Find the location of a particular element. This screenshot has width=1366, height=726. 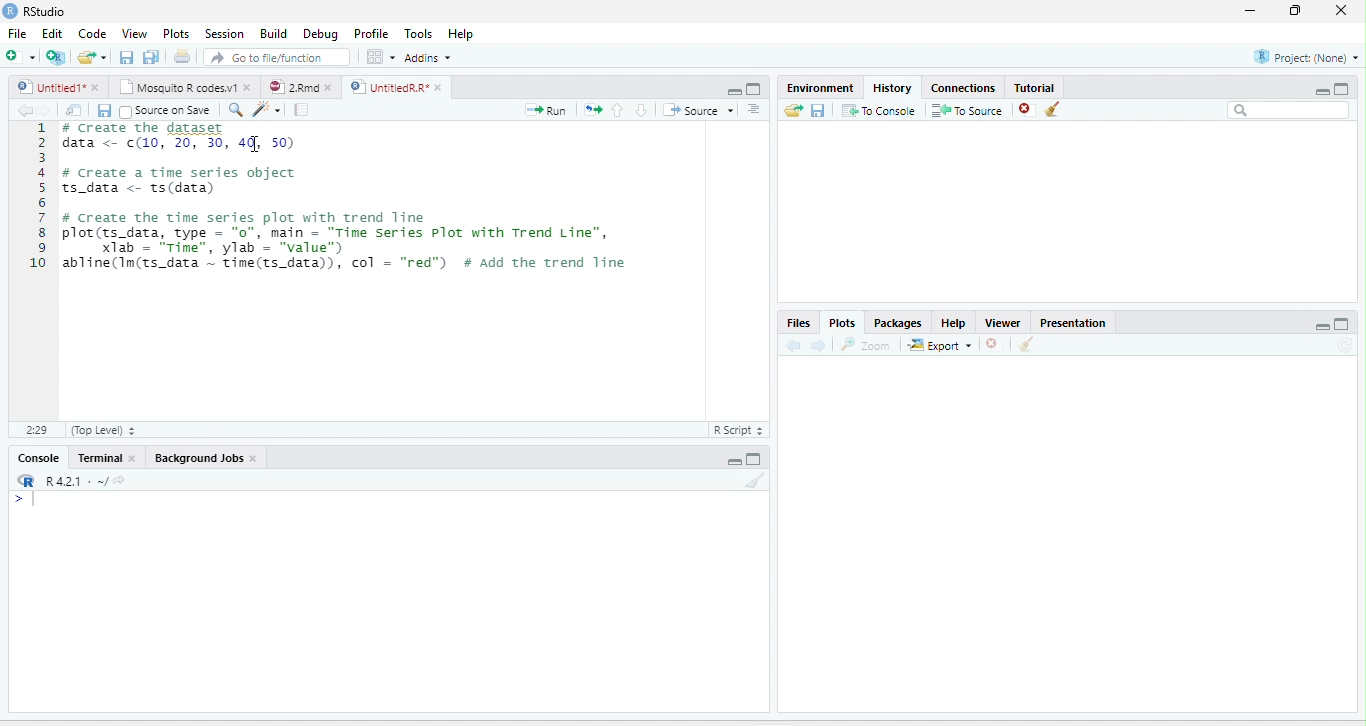

Connections is located at coordinates (964, 86).